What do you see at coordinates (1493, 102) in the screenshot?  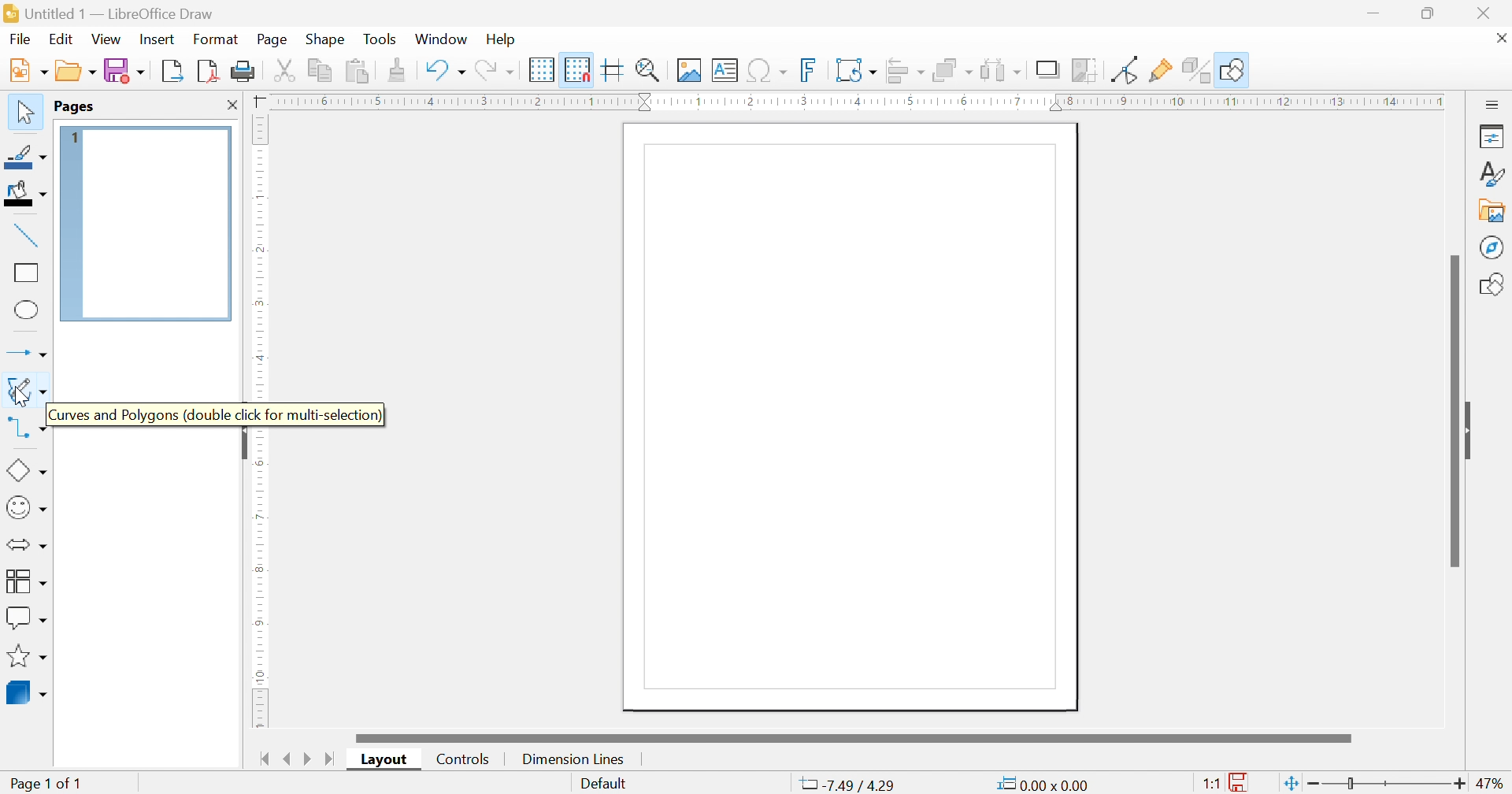 I see `slidebar settings` at bounding box center [1493, 102].